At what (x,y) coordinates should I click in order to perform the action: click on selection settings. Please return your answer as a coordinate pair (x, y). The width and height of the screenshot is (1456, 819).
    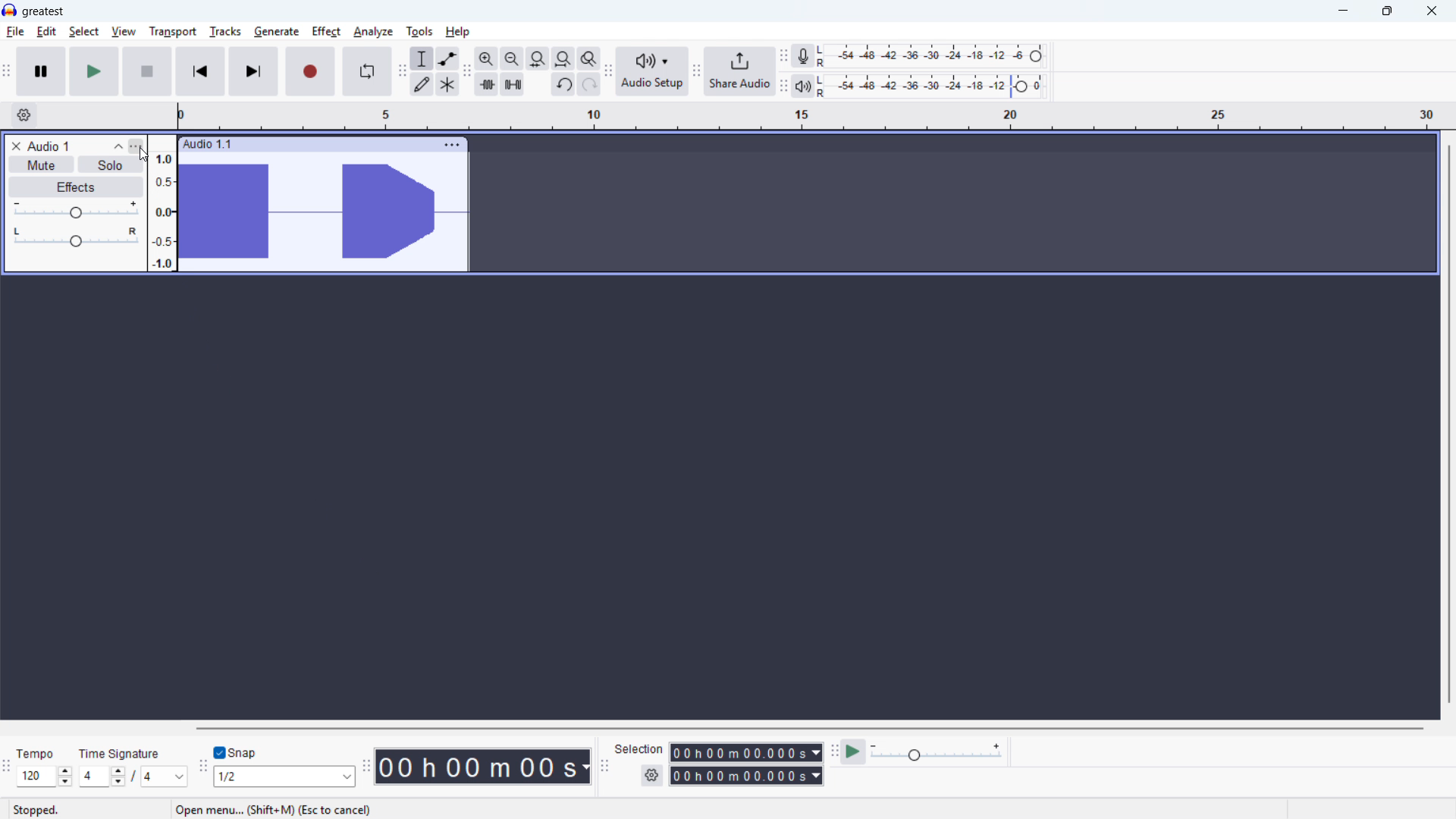
    Looking at the image, I should click on (653, 776).